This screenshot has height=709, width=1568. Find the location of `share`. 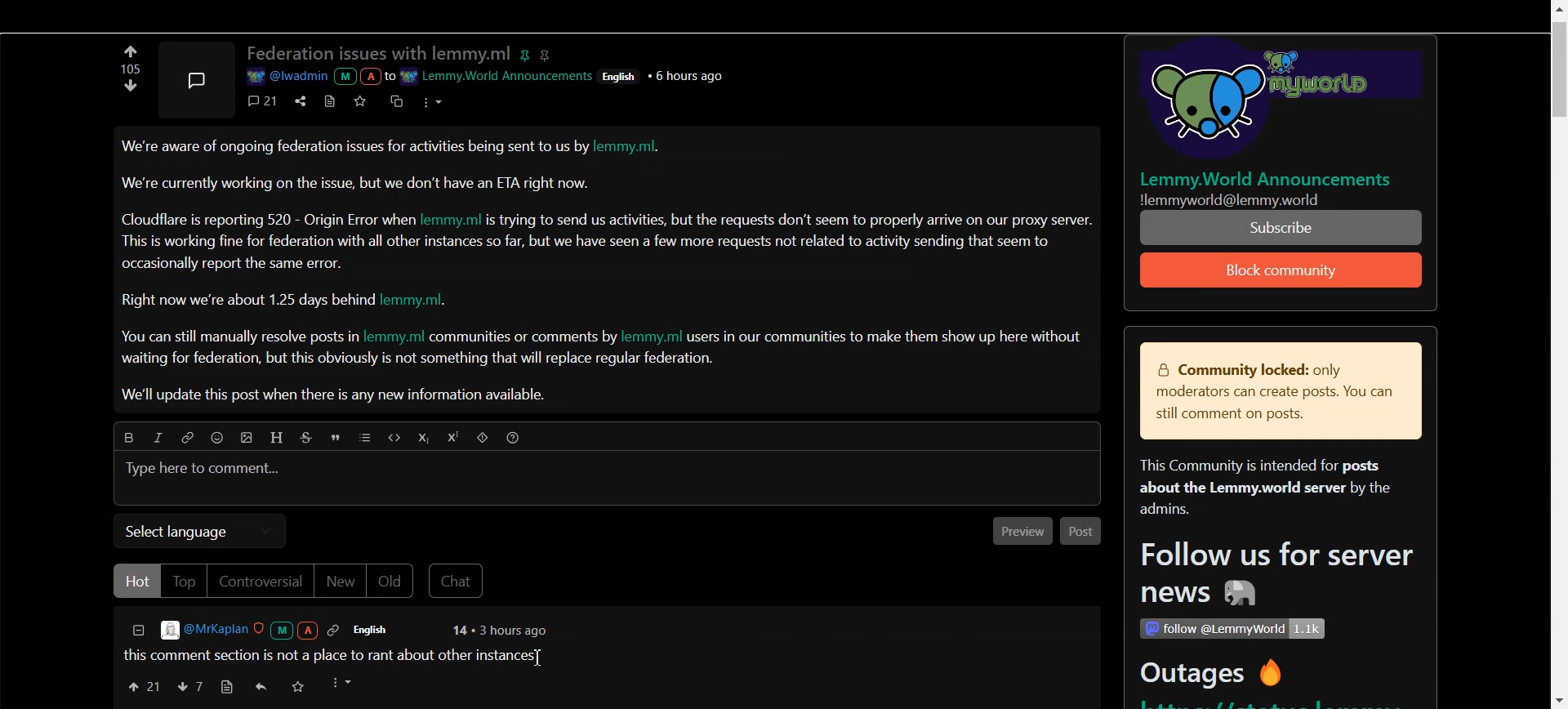

share is located at coordinates (298, 100).